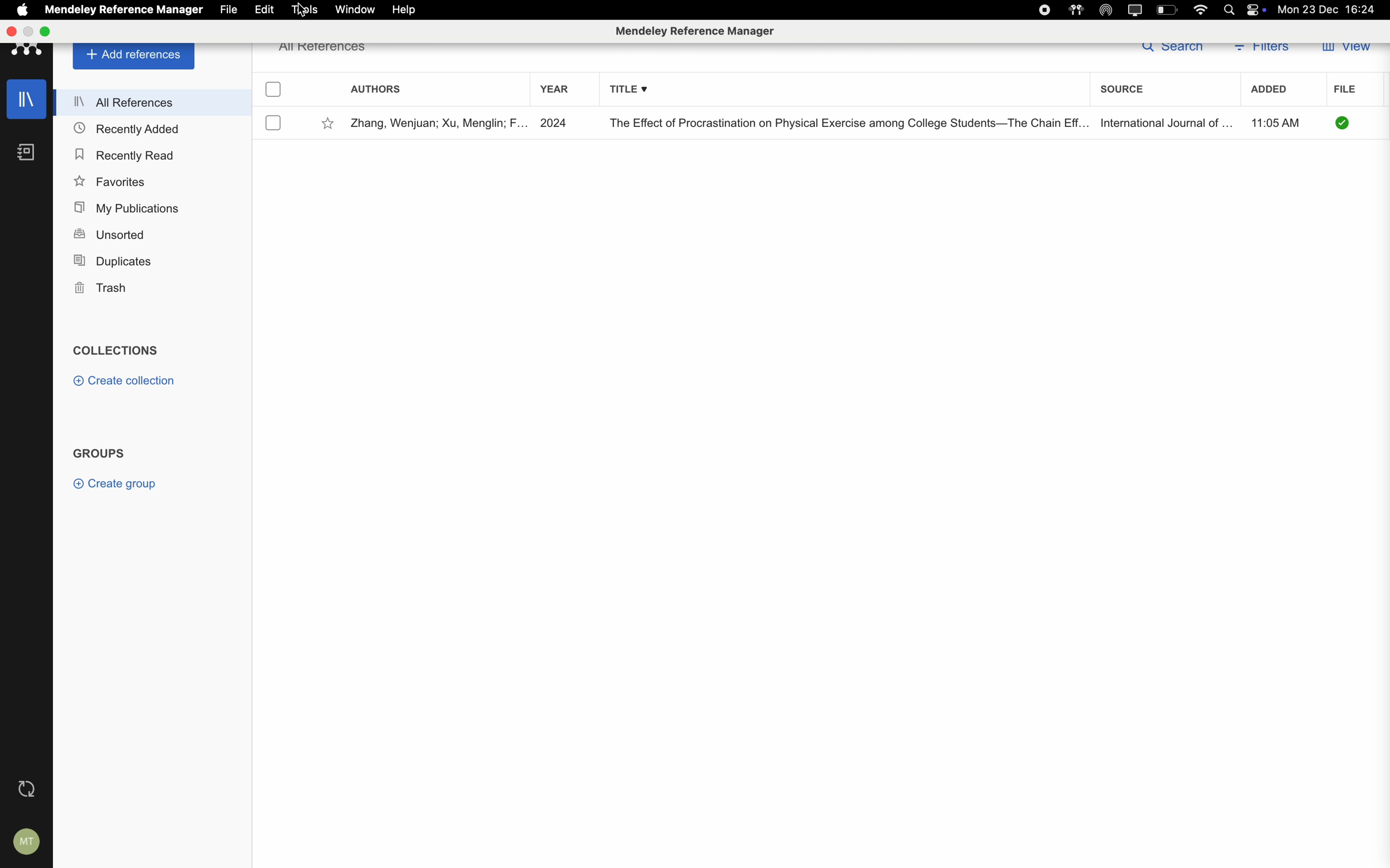 The height and width of the screenshot is (868, 1390). Describe the element at coordinates (1076, 10) in the screenshot. I see `airpods connected` at that location.